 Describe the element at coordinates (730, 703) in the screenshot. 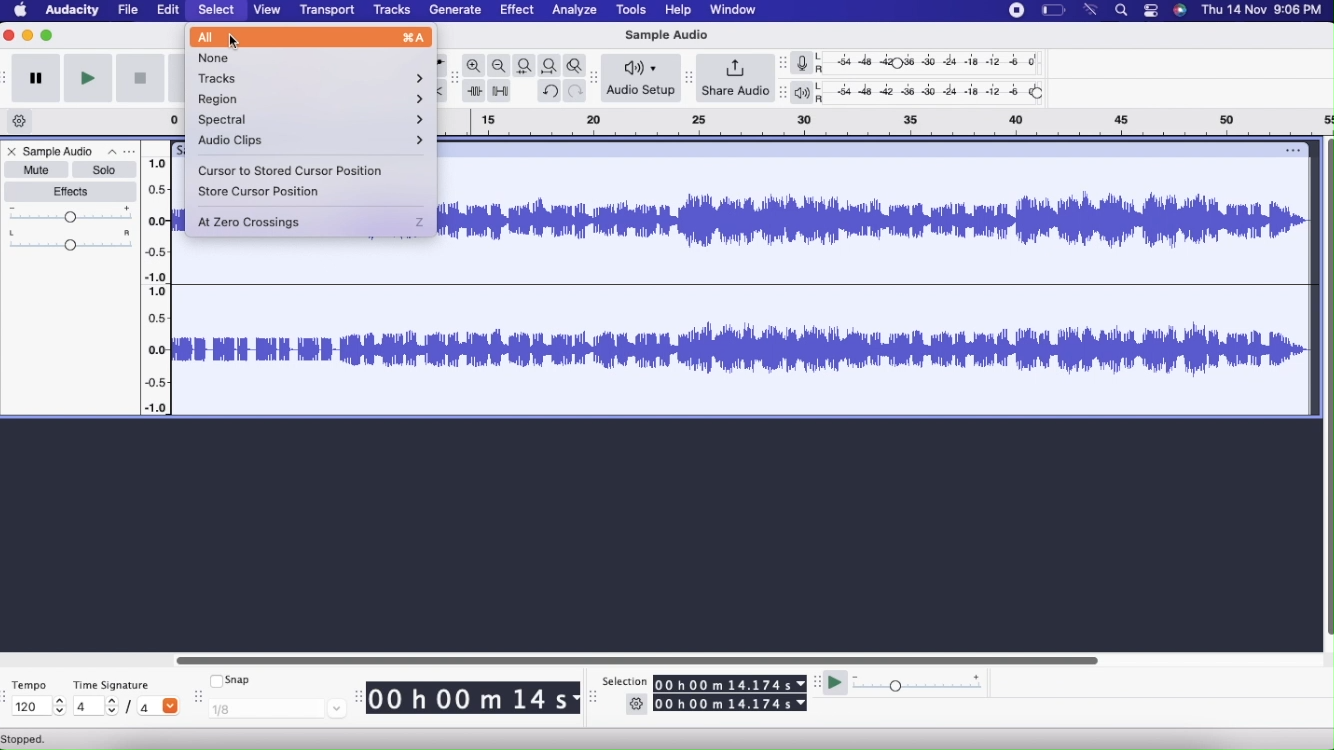

I see `00 h 00 m 14.174 s` at that location.